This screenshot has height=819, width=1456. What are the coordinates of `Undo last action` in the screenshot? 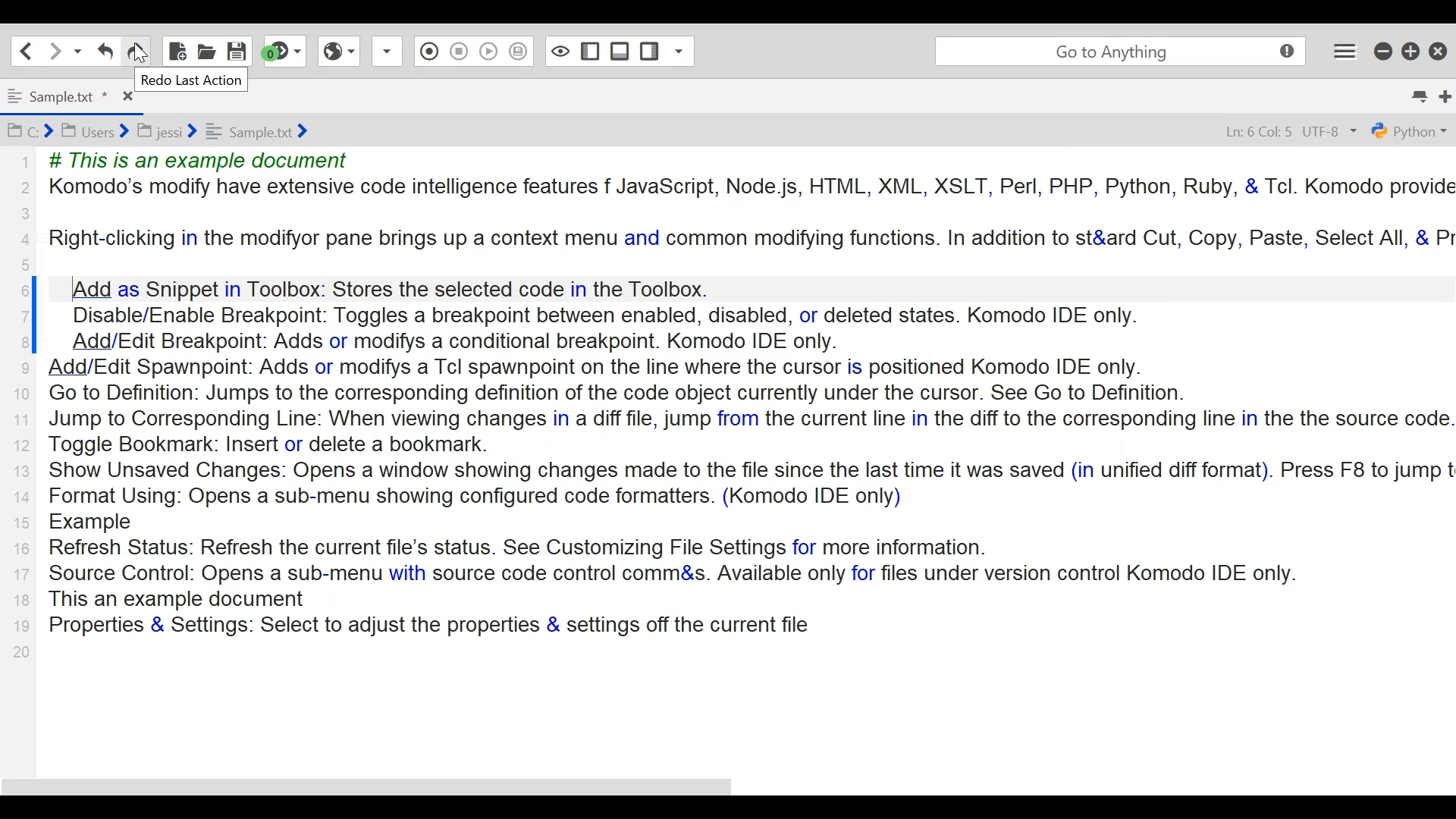 It's located at (105, 51).